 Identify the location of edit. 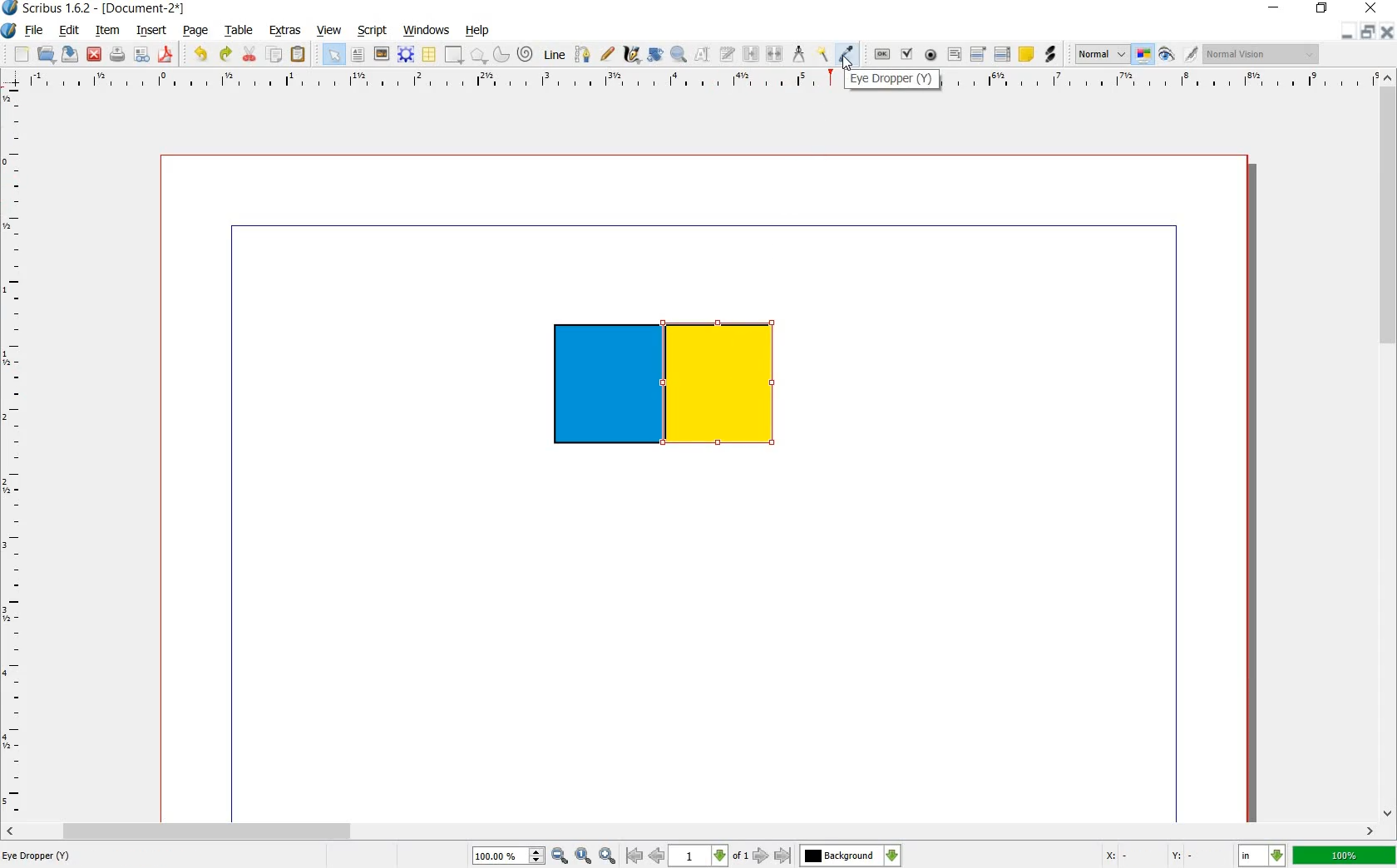
(69, 31).